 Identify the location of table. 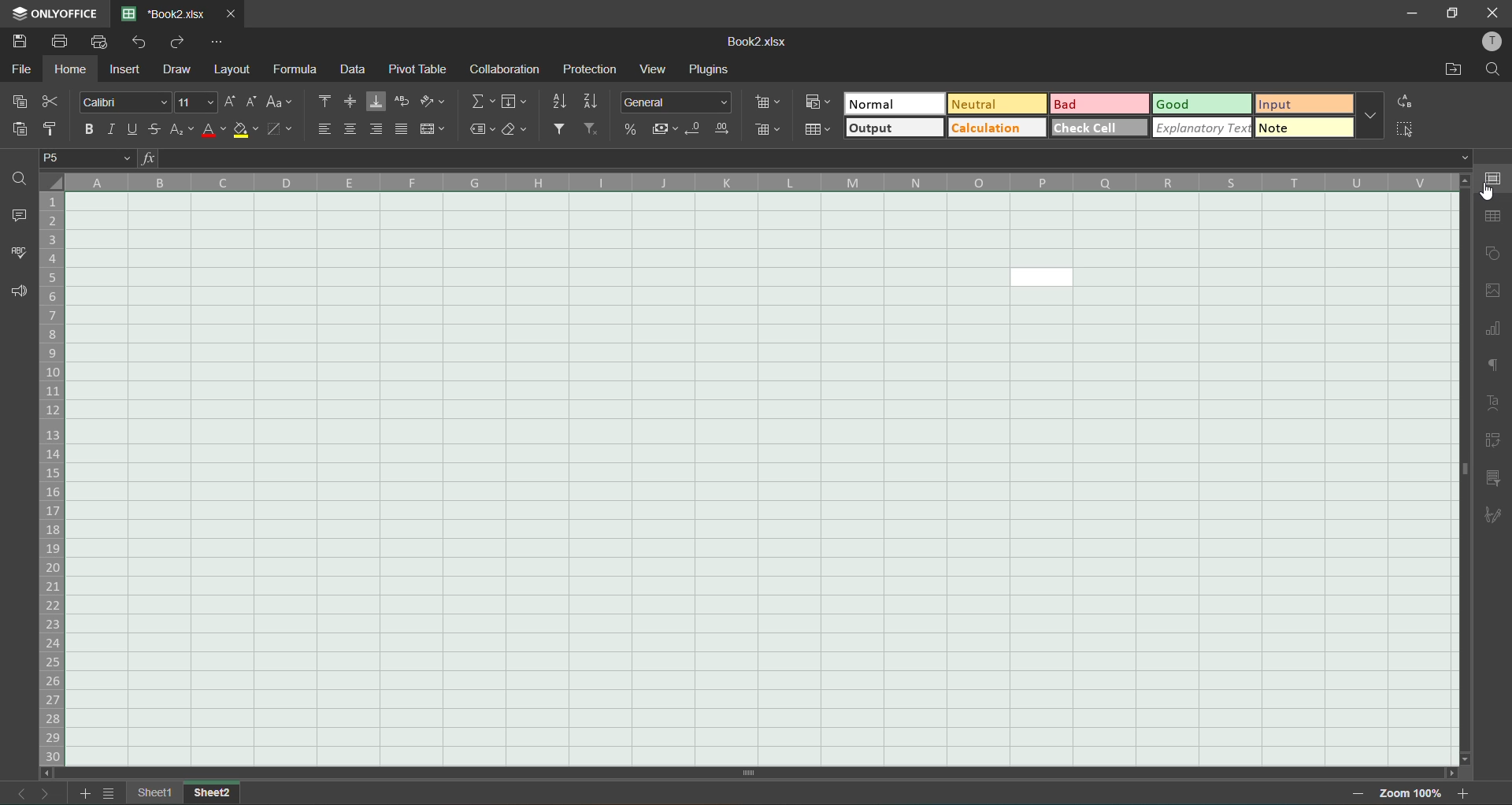
(1494, 218).